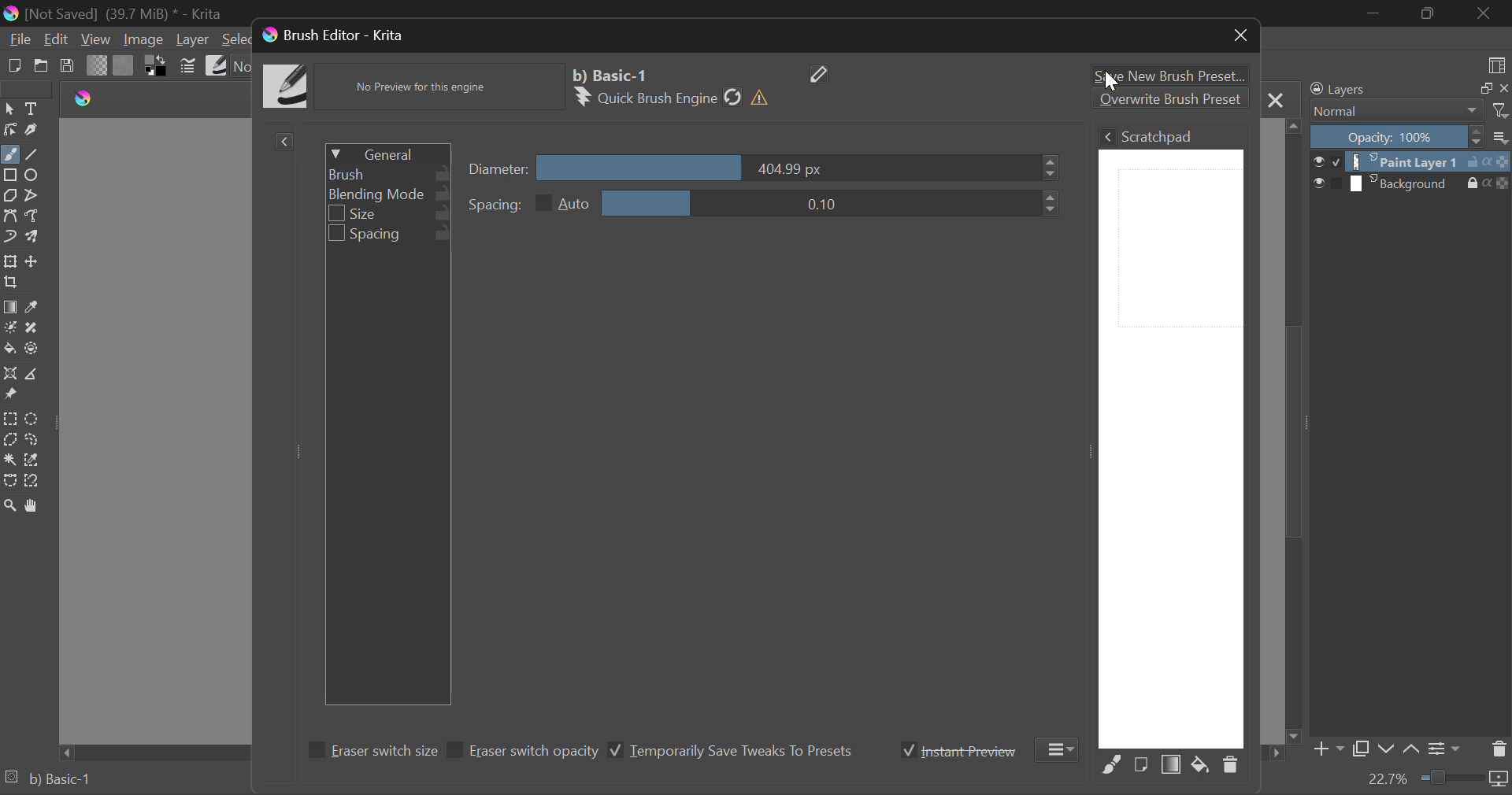 The height and width of the screenshot is (795, 1512). What do you see at coordinates (613, 74) in the screenshot?
I see `Selected Brush` at bounding box center [613, 74].